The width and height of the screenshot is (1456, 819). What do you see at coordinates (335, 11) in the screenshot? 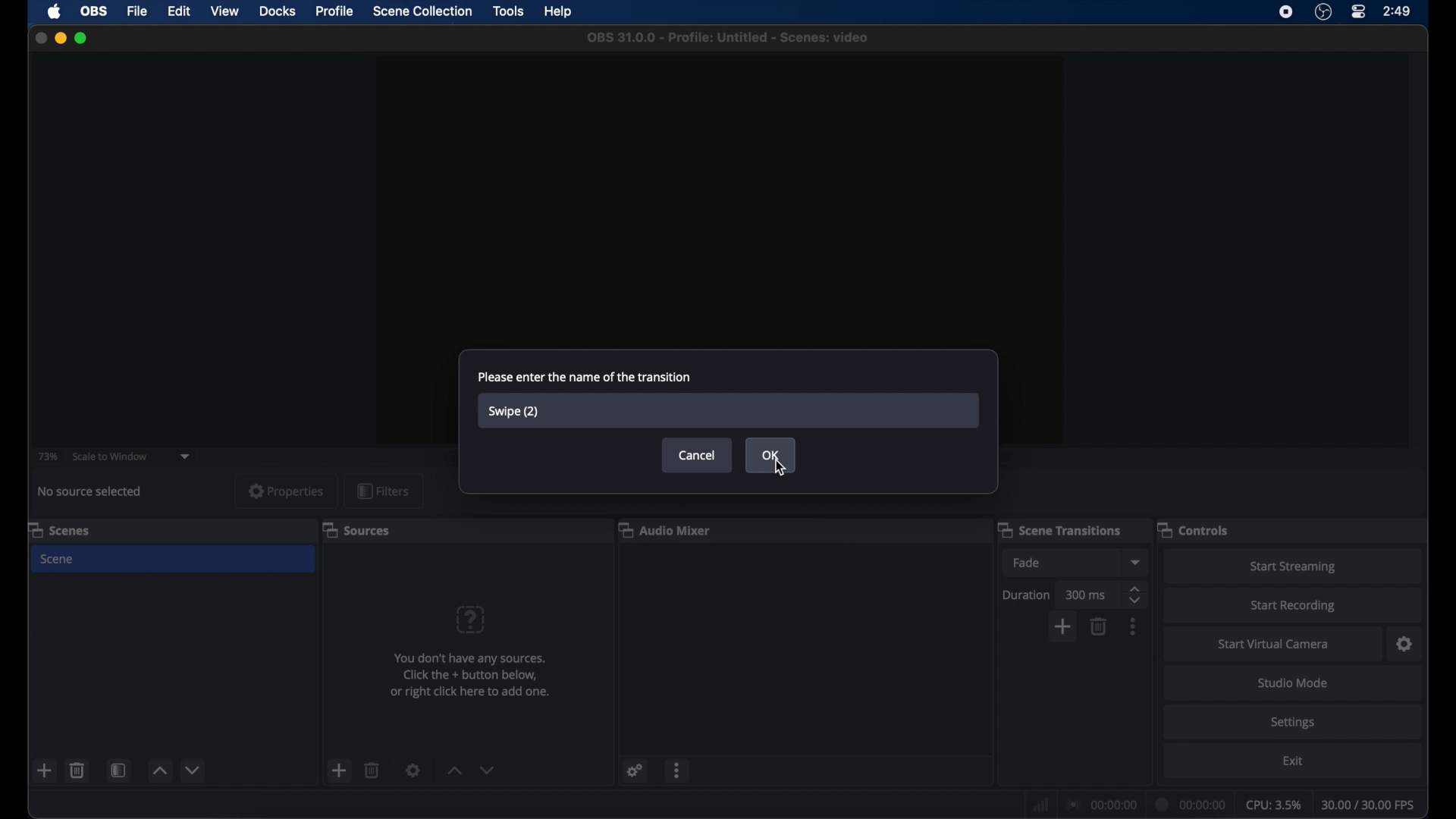
I see `profile` at bounding box center [335, 11].